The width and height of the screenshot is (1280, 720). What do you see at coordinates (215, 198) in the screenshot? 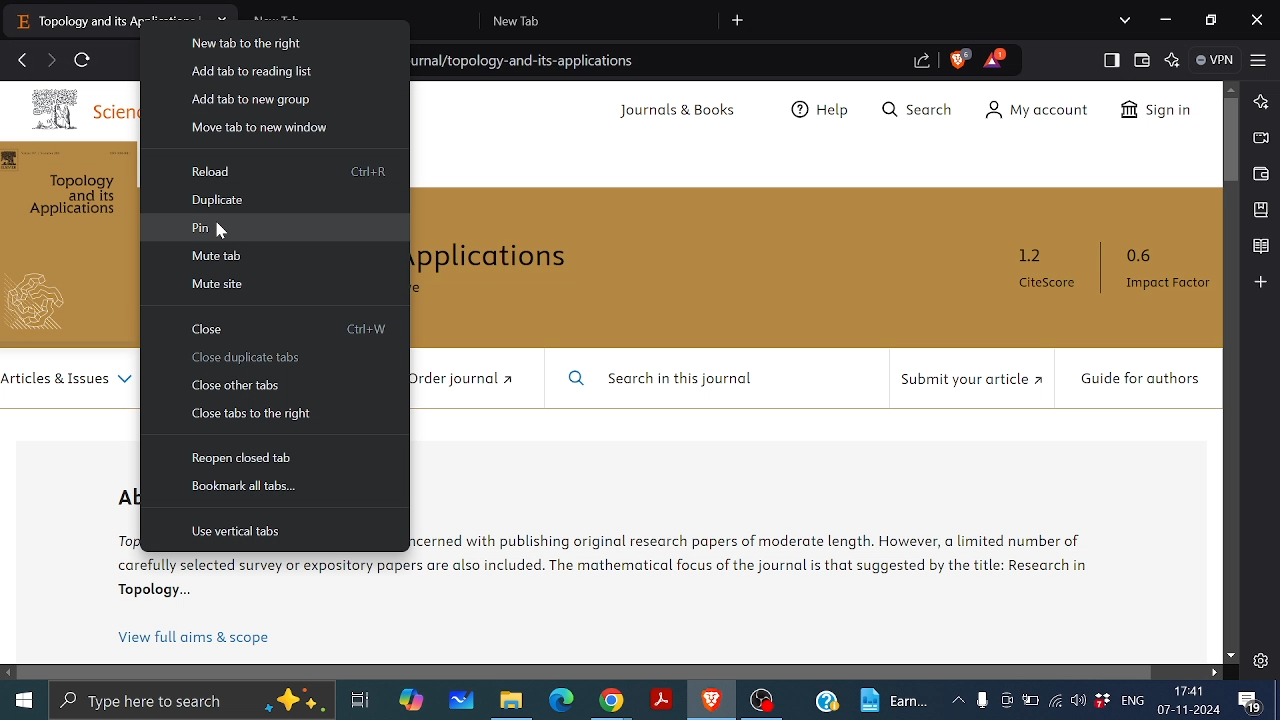
I see `Duplicate` at bounding box center [215, 198].